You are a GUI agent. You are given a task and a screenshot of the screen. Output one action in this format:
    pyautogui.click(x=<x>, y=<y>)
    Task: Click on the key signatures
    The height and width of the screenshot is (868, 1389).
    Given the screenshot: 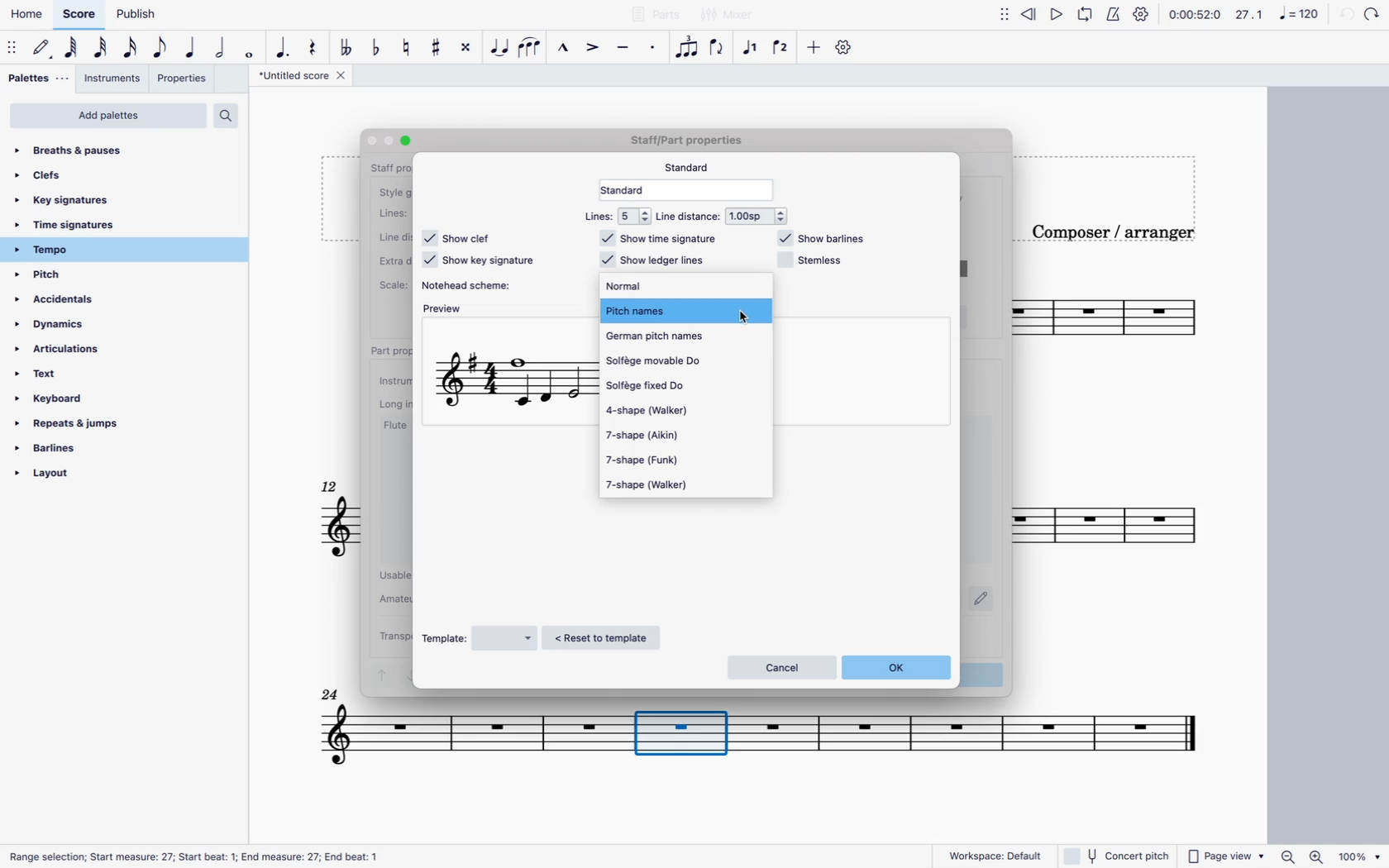 What is the action you would take?
    pyautogui.click(x=65, y=202)
    